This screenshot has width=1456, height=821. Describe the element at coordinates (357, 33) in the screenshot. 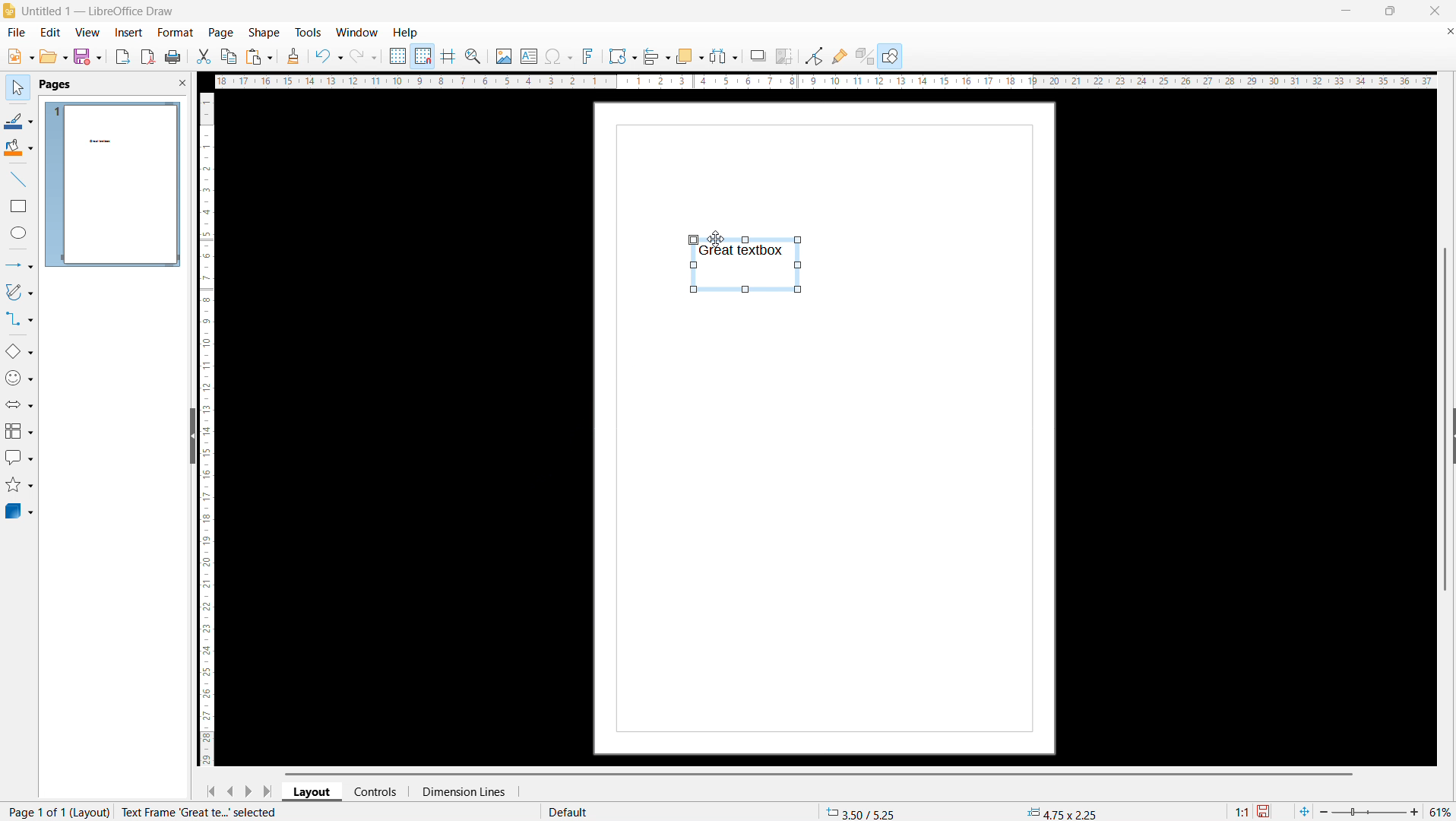

I see `window` at that location.